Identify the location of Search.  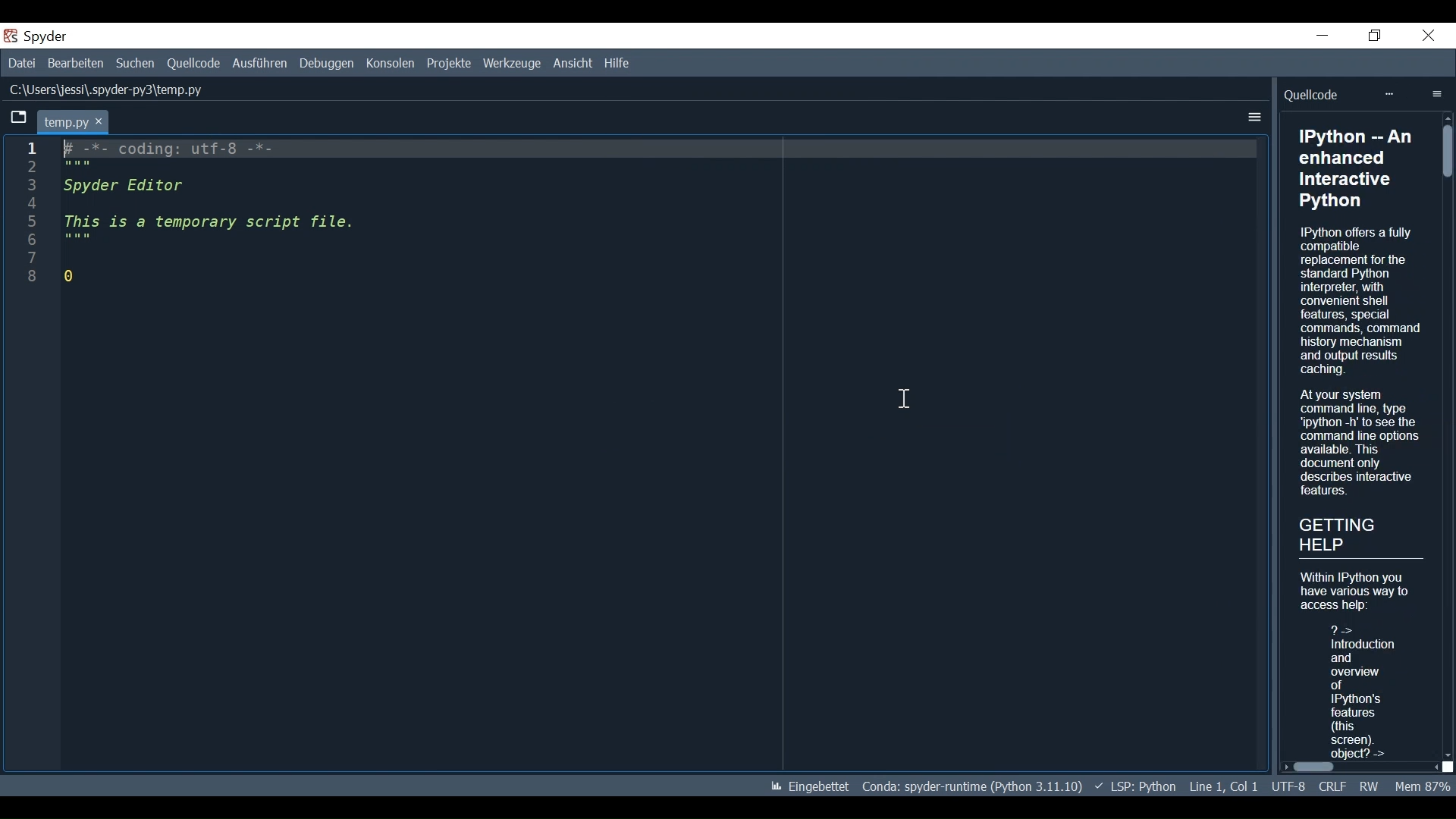
(135, 64).